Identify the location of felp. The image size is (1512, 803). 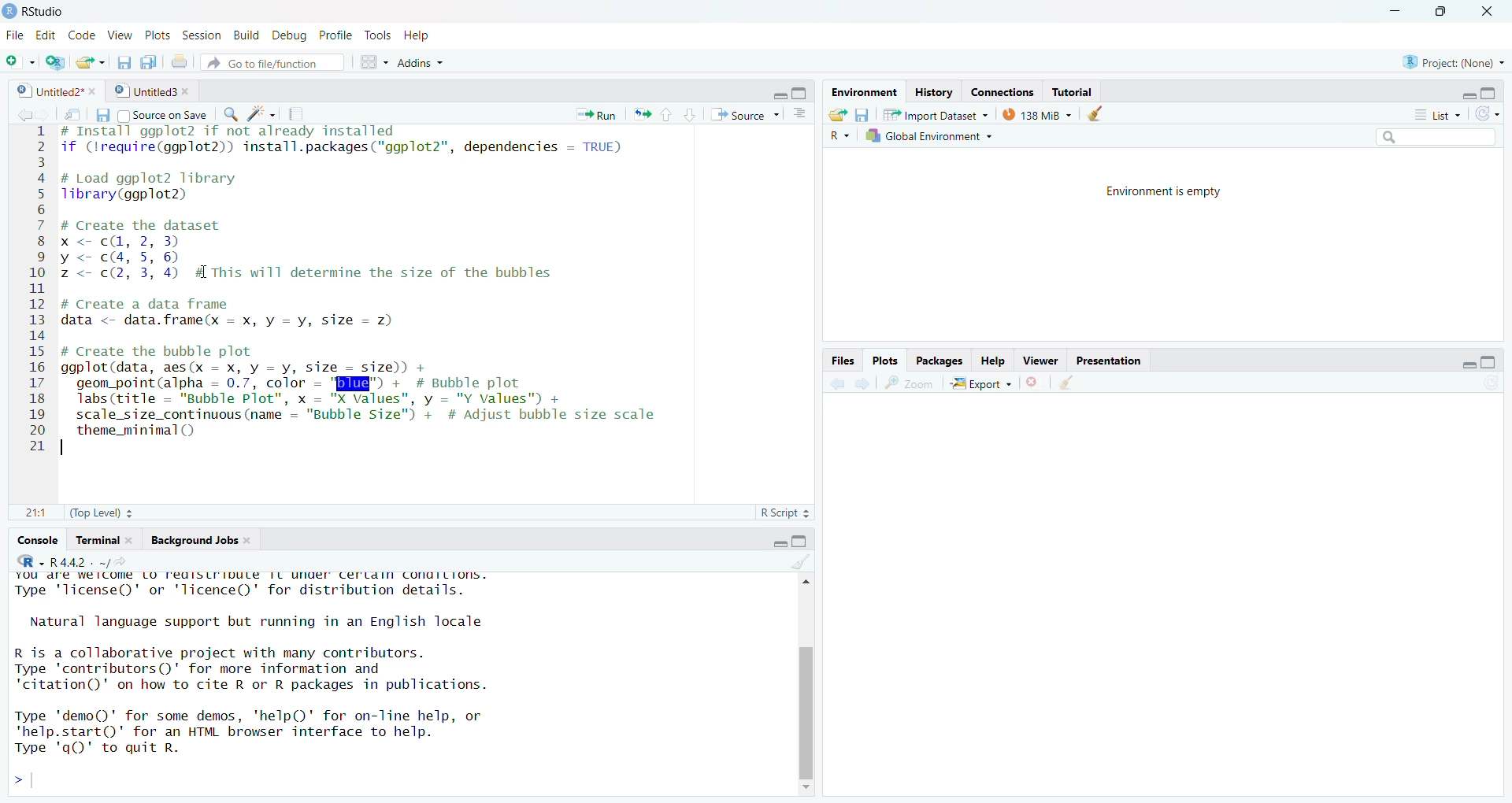
(994, 360).